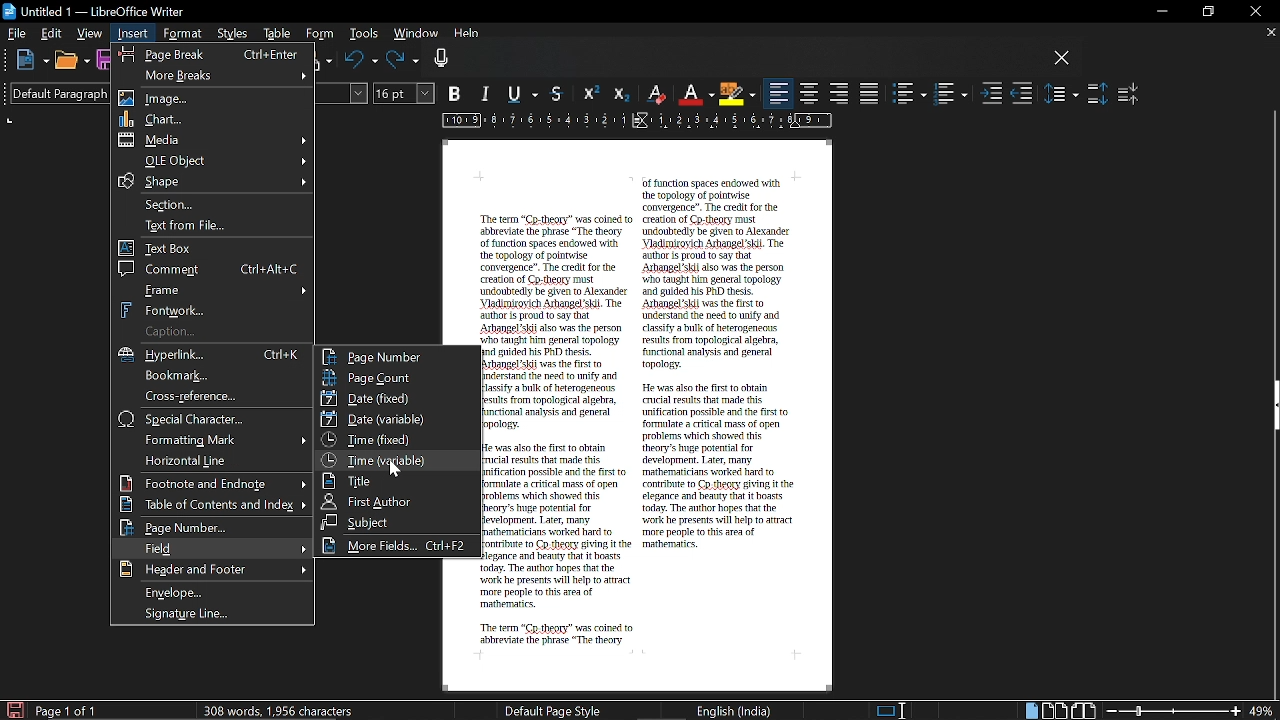 Image resolution: width=1280 pixels, height=720 pixels. I want to click on Restore down, so click(1206, 12).